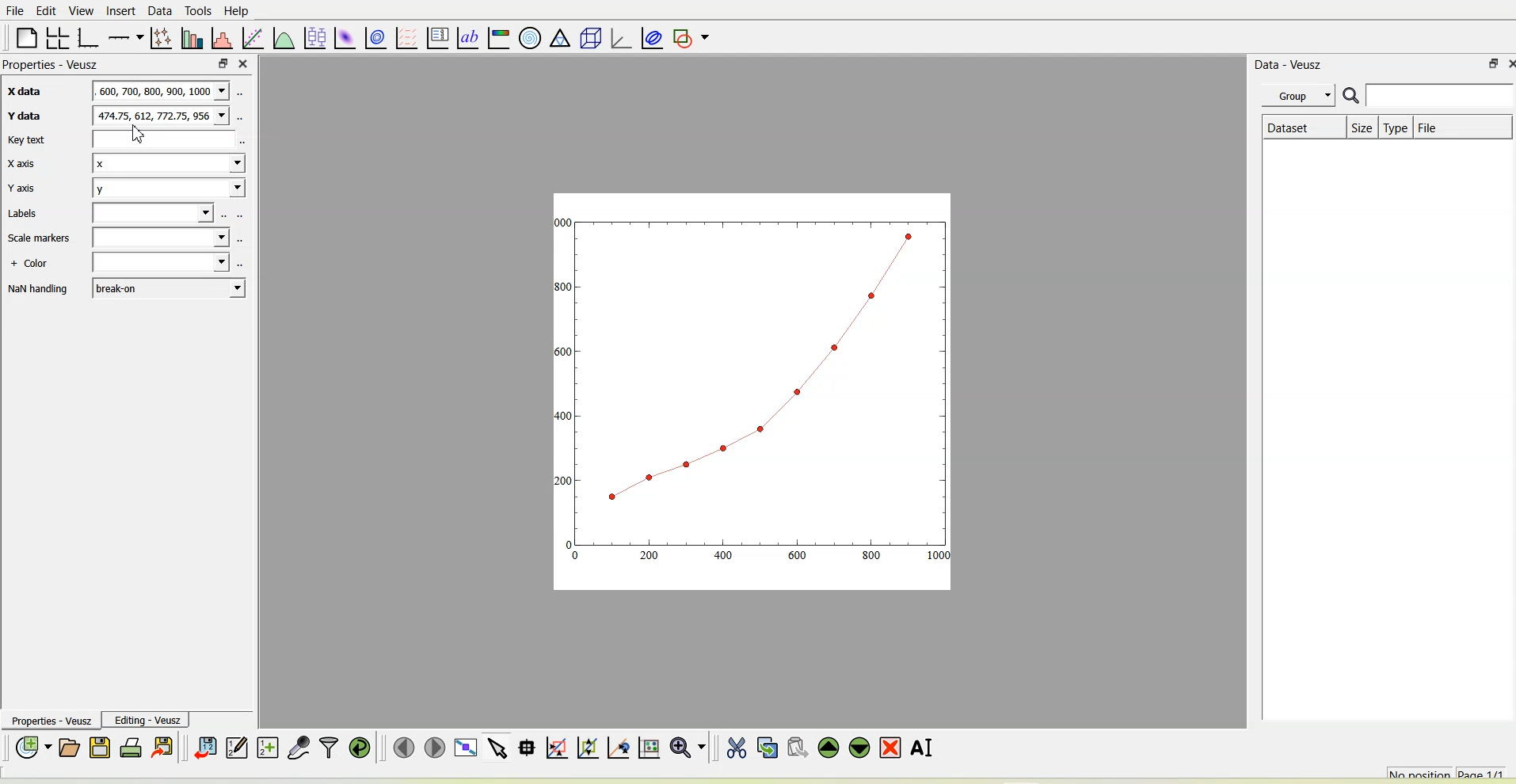 The height and width of the screenshot is (784, 1516). Describe the element at coordinates (240, 116) in the screenshot. I see `select using dataset browser` at that location.